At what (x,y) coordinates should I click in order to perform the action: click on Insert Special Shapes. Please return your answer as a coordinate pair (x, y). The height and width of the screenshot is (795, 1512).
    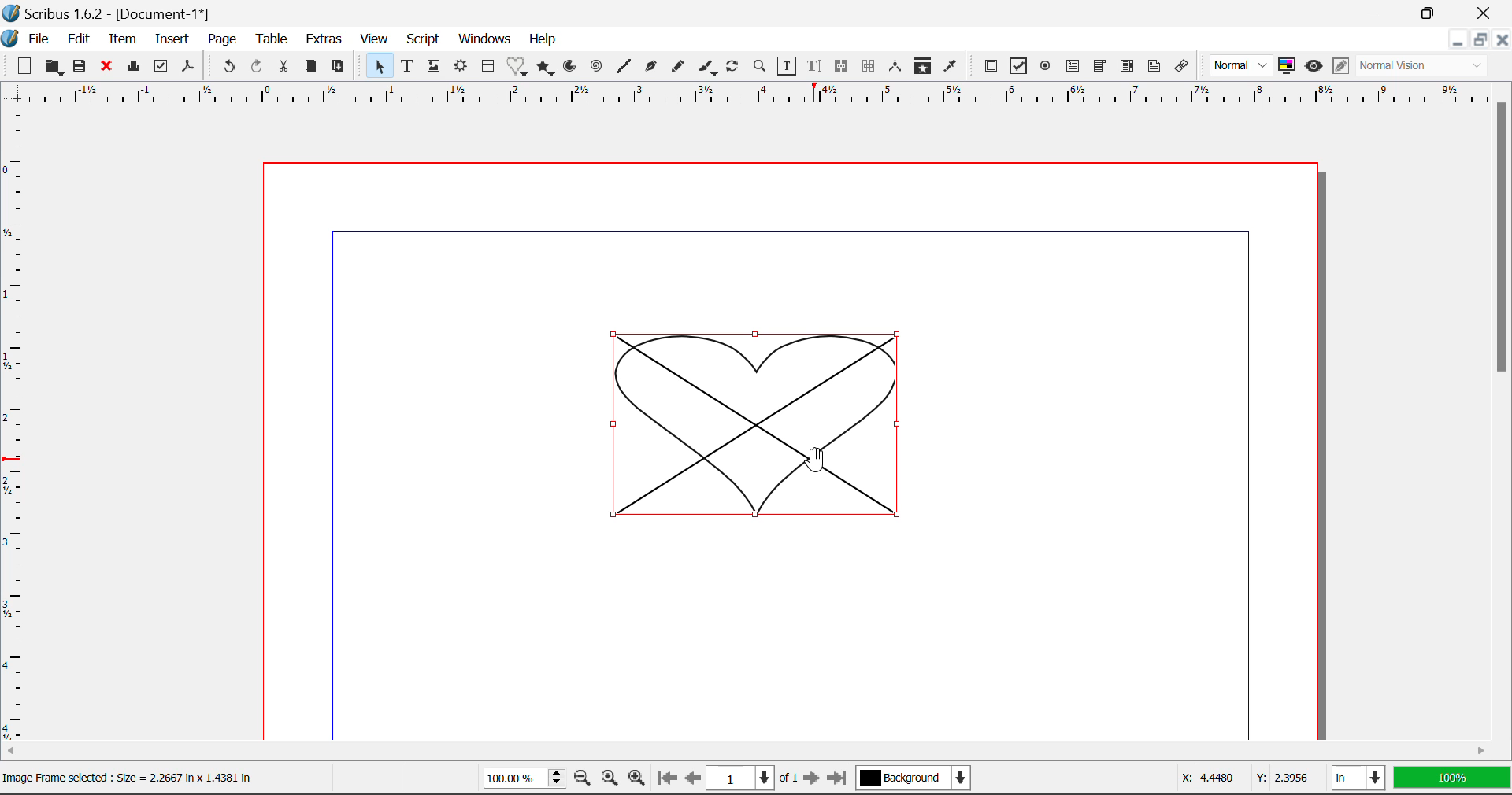
    Looking at the image, I should click on (518, 68).